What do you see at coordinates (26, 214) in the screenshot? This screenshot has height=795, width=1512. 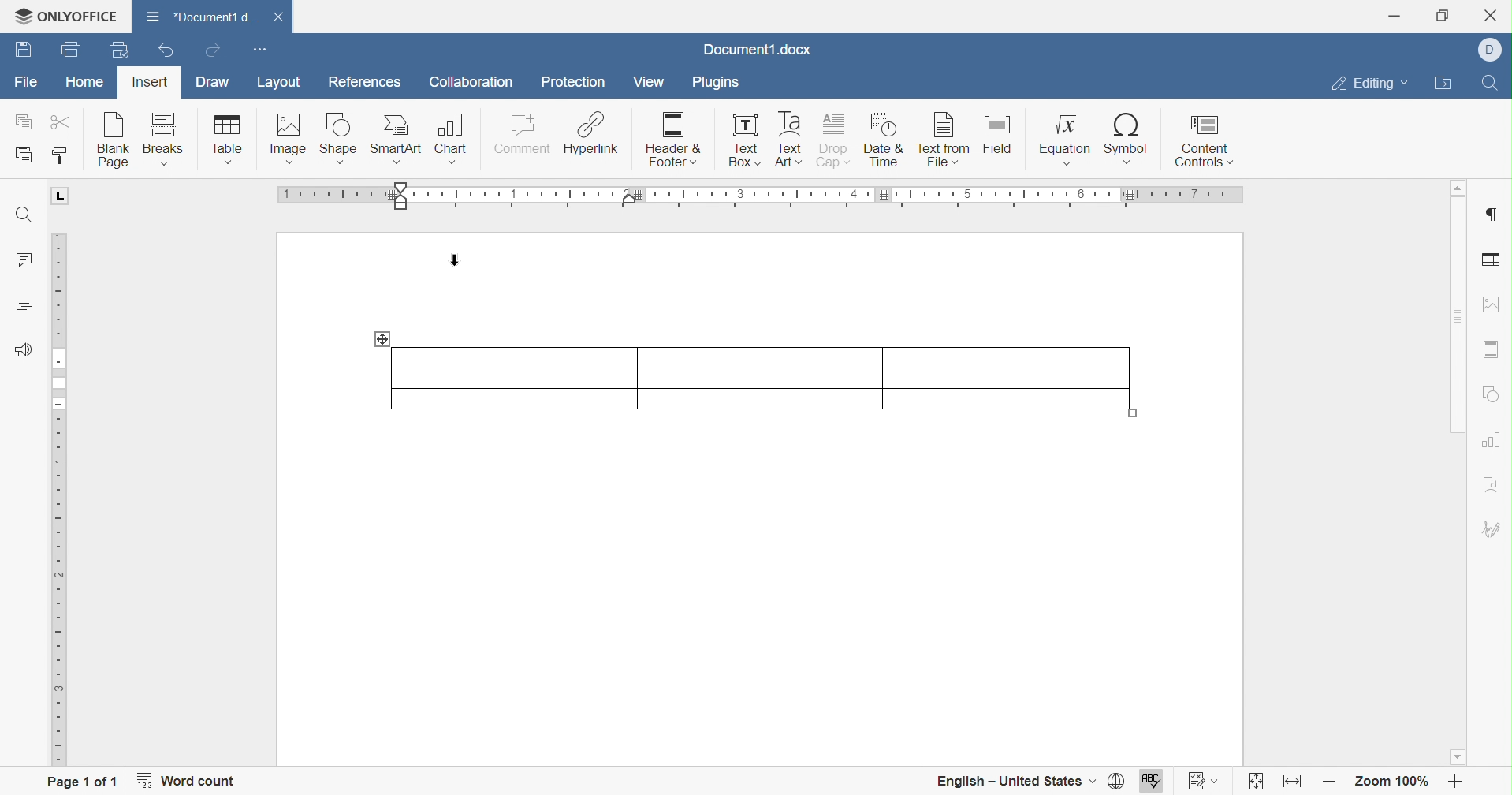 I see `Find` at bounding box center [26, 214].